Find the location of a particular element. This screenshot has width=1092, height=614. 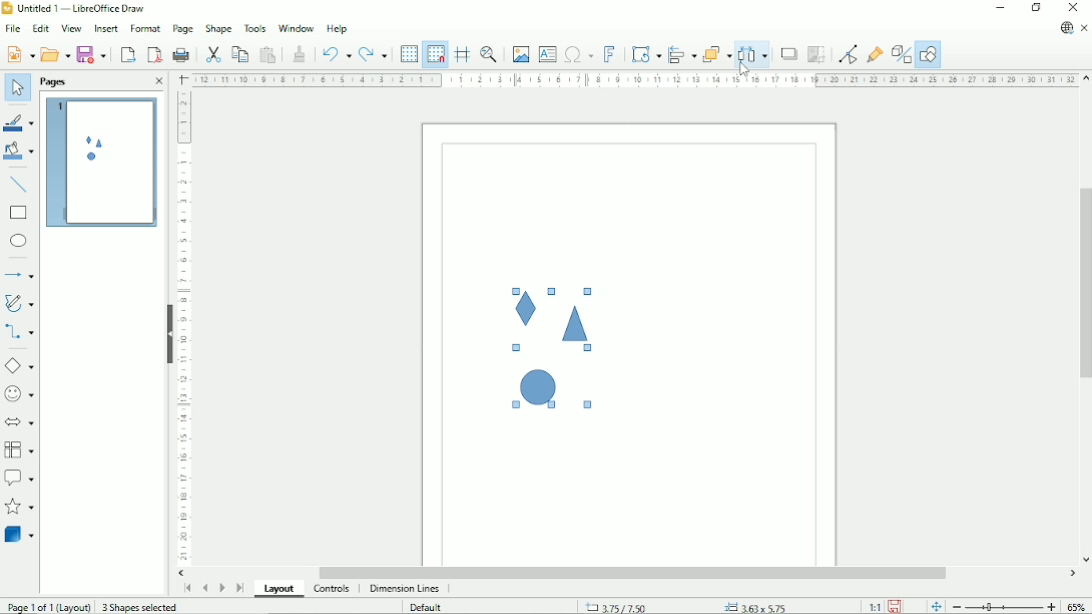

Cursor position is located at coordinates (689, 606).